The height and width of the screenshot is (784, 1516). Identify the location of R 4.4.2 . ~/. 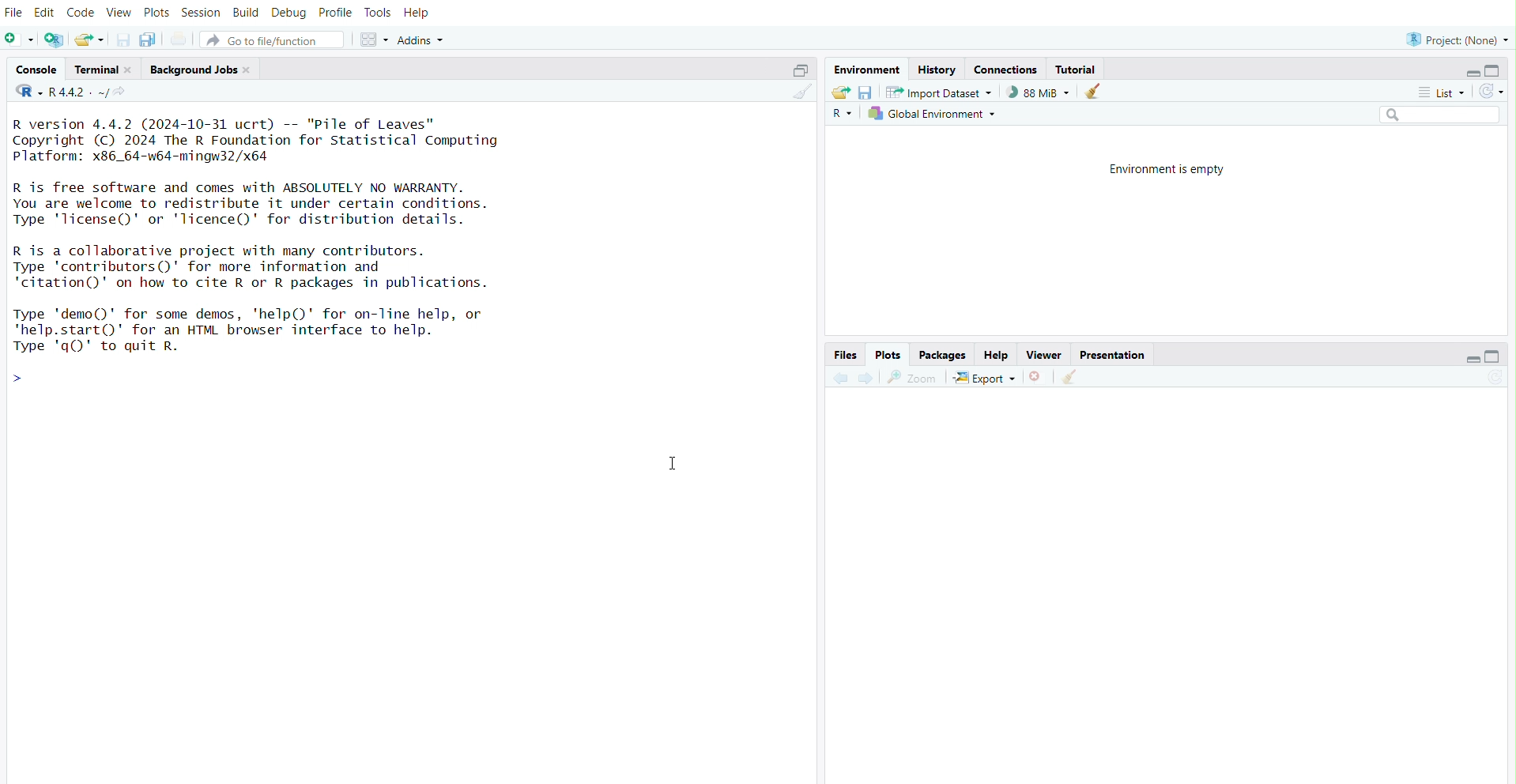
(81, 92).